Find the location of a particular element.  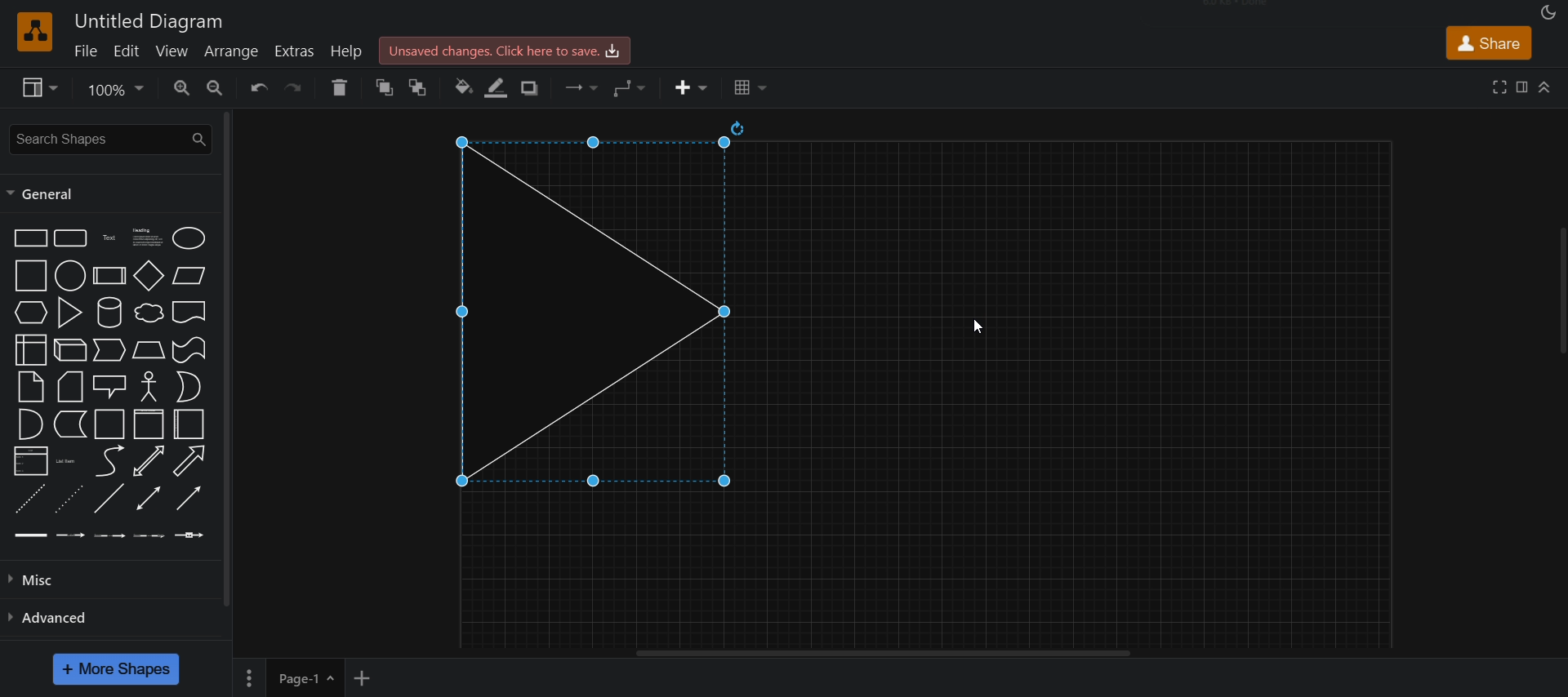

add new page is located at coordinates (371, 675).